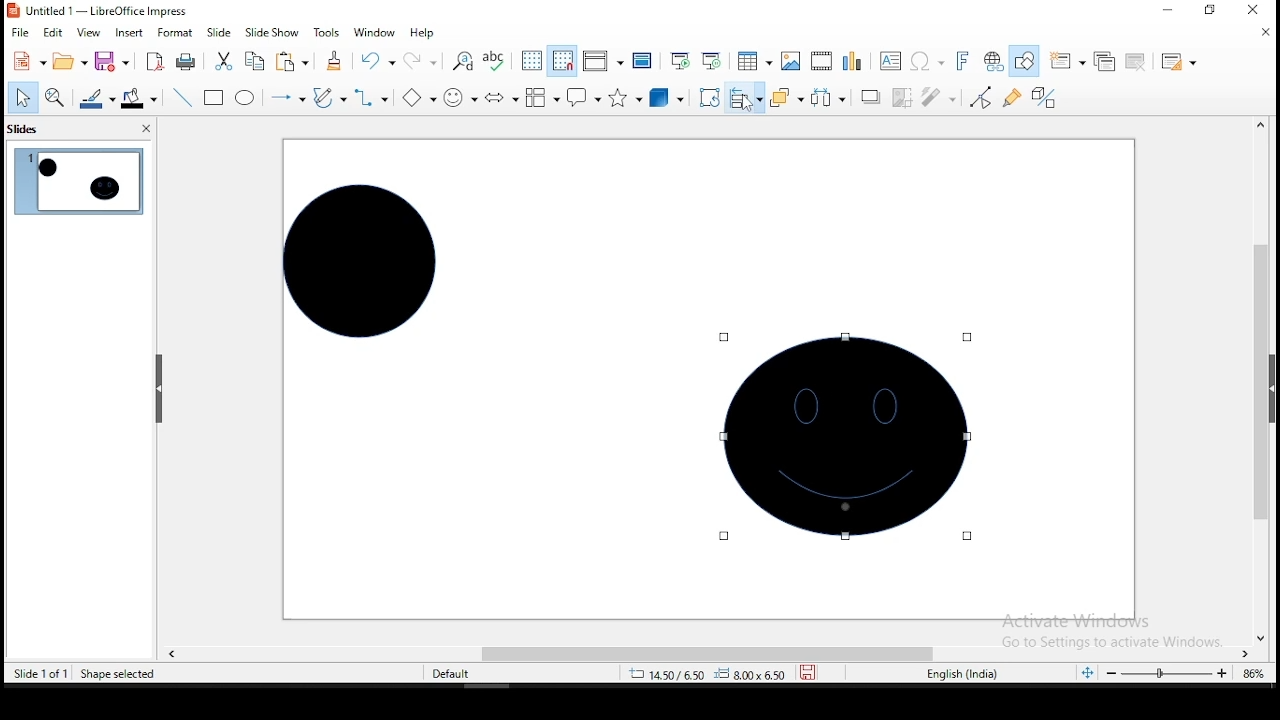  Describe the element at coordinates (68, 63) in the screenshot. I see `open` at that location.